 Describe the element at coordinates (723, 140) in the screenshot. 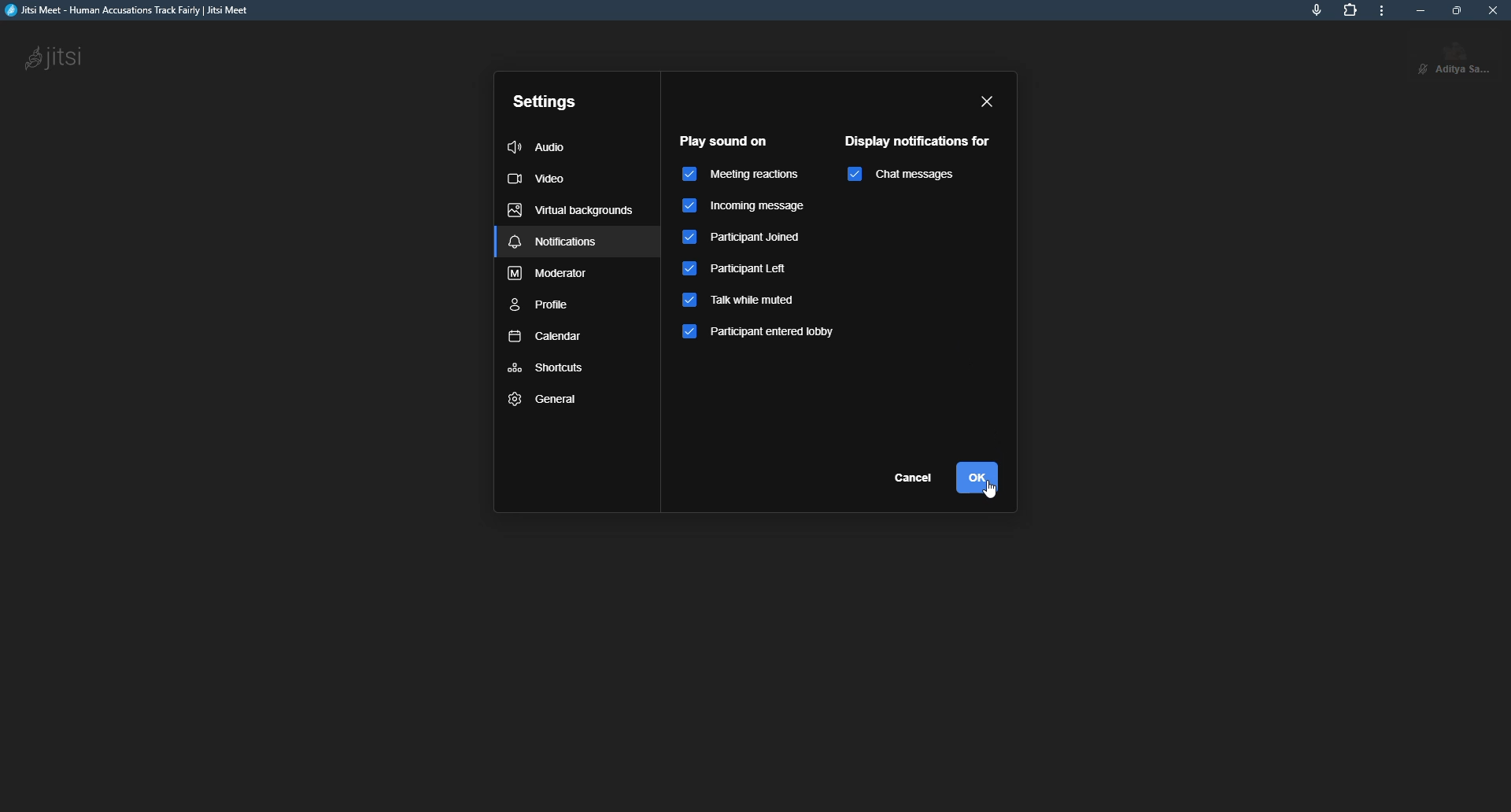

I see `play sound on` at that location.